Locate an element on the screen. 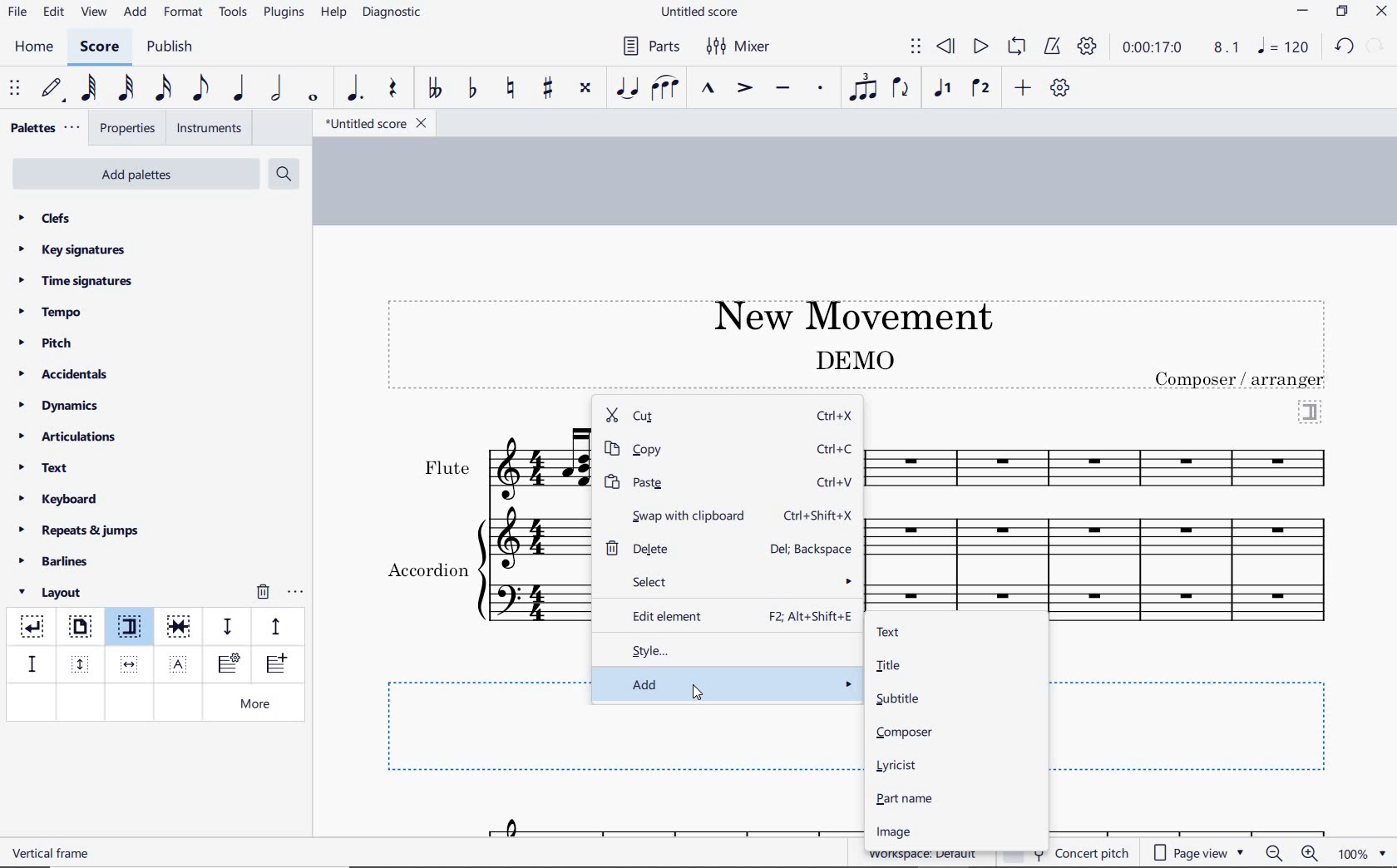  text is located at coordinates (853, 359).